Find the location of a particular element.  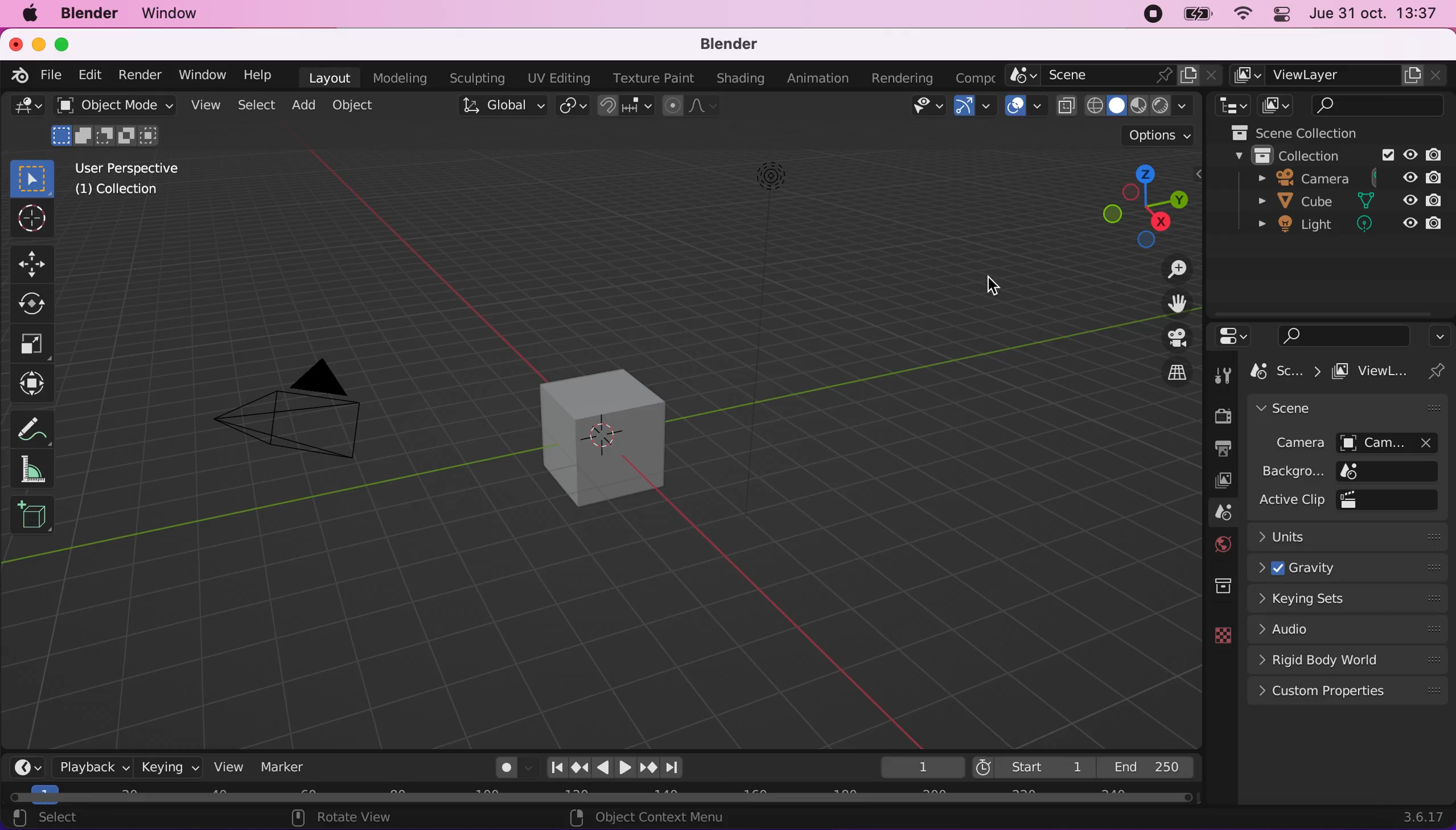

toggle x ray is located at coordinates (1066, 106).